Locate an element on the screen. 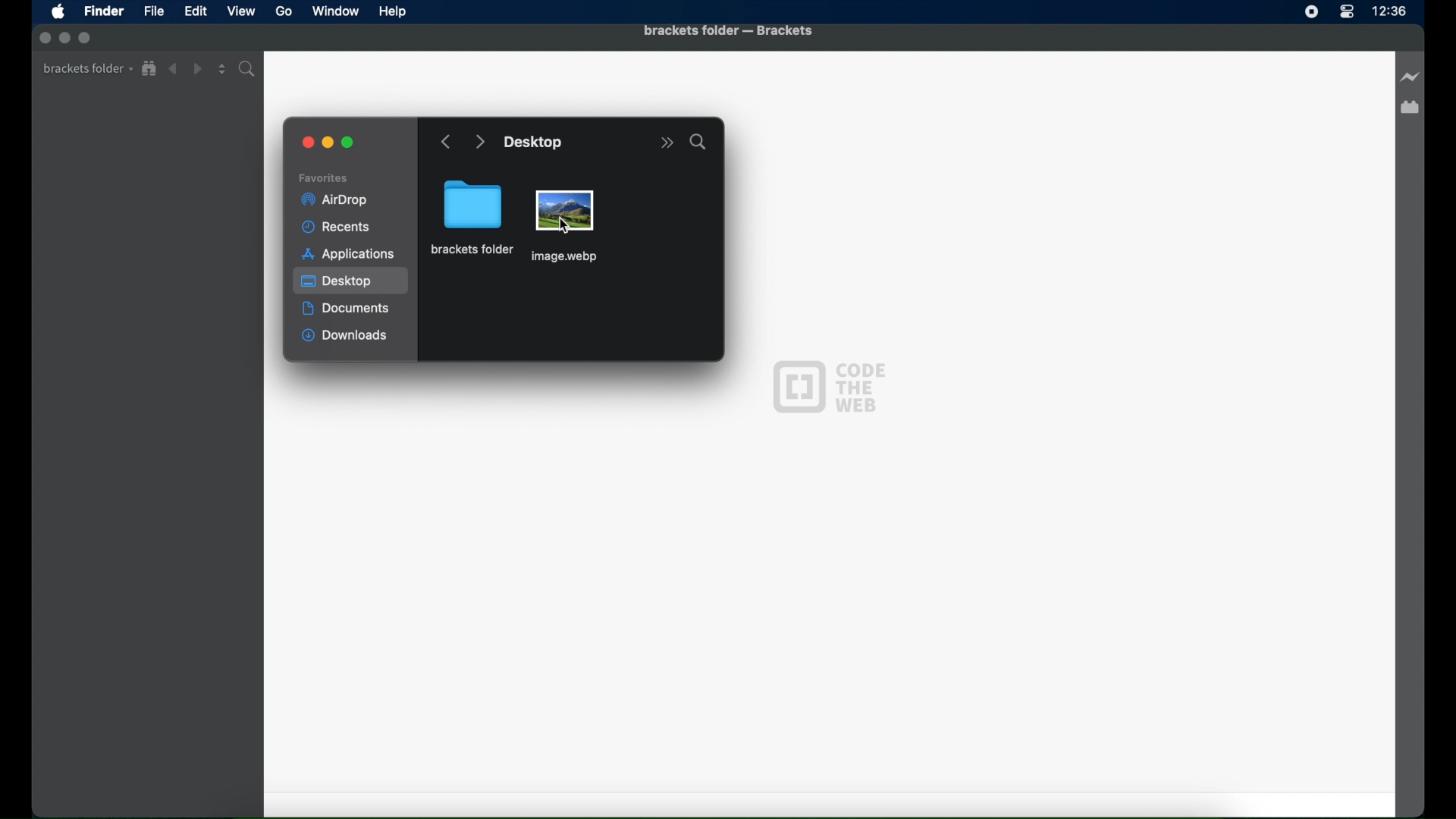 The width and height of the screenshot is (1456, 819). code the web is located at coordinates (829, 385).